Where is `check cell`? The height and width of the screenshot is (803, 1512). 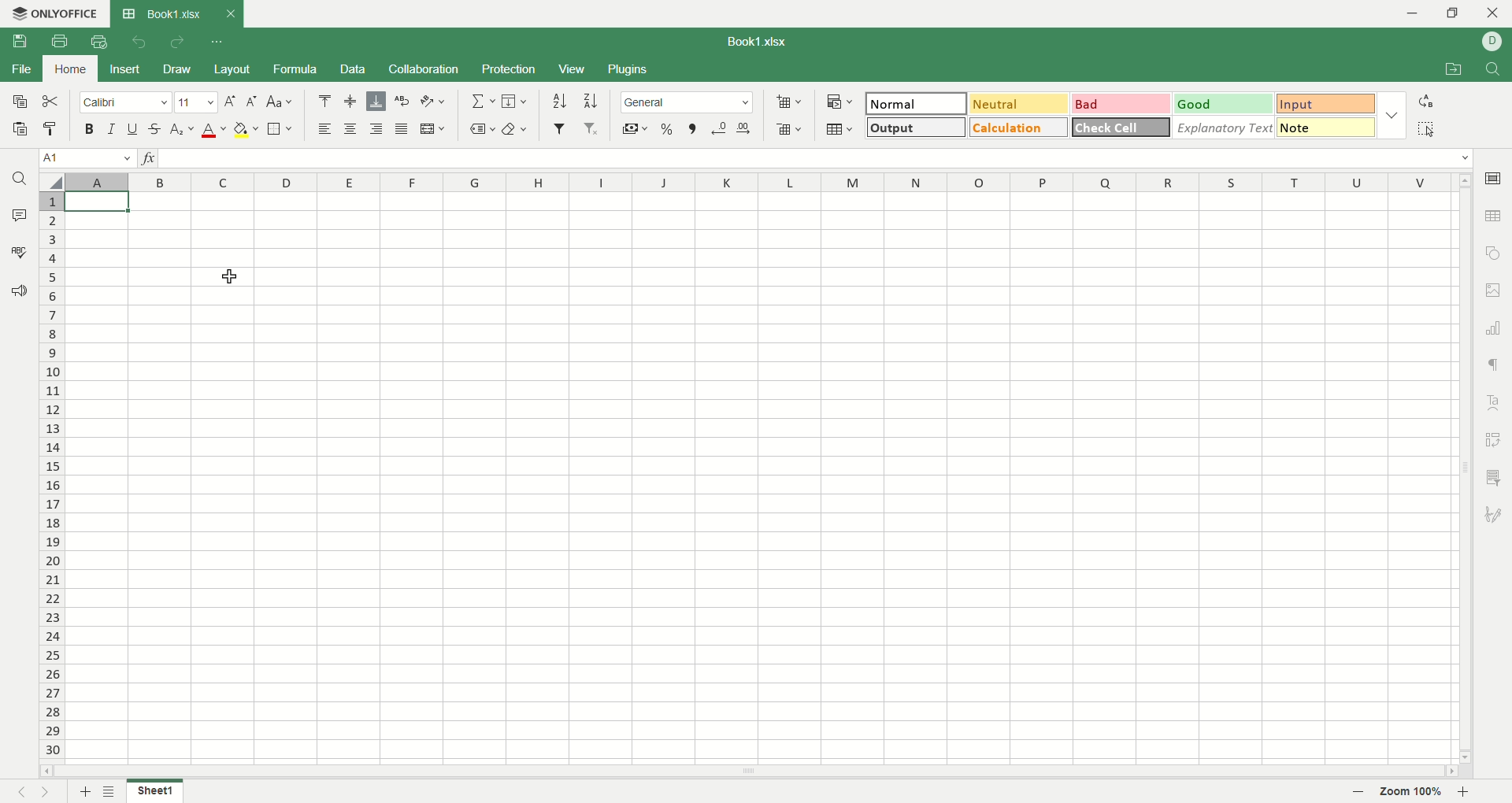 check cell is located at coordinates (1122, 127).